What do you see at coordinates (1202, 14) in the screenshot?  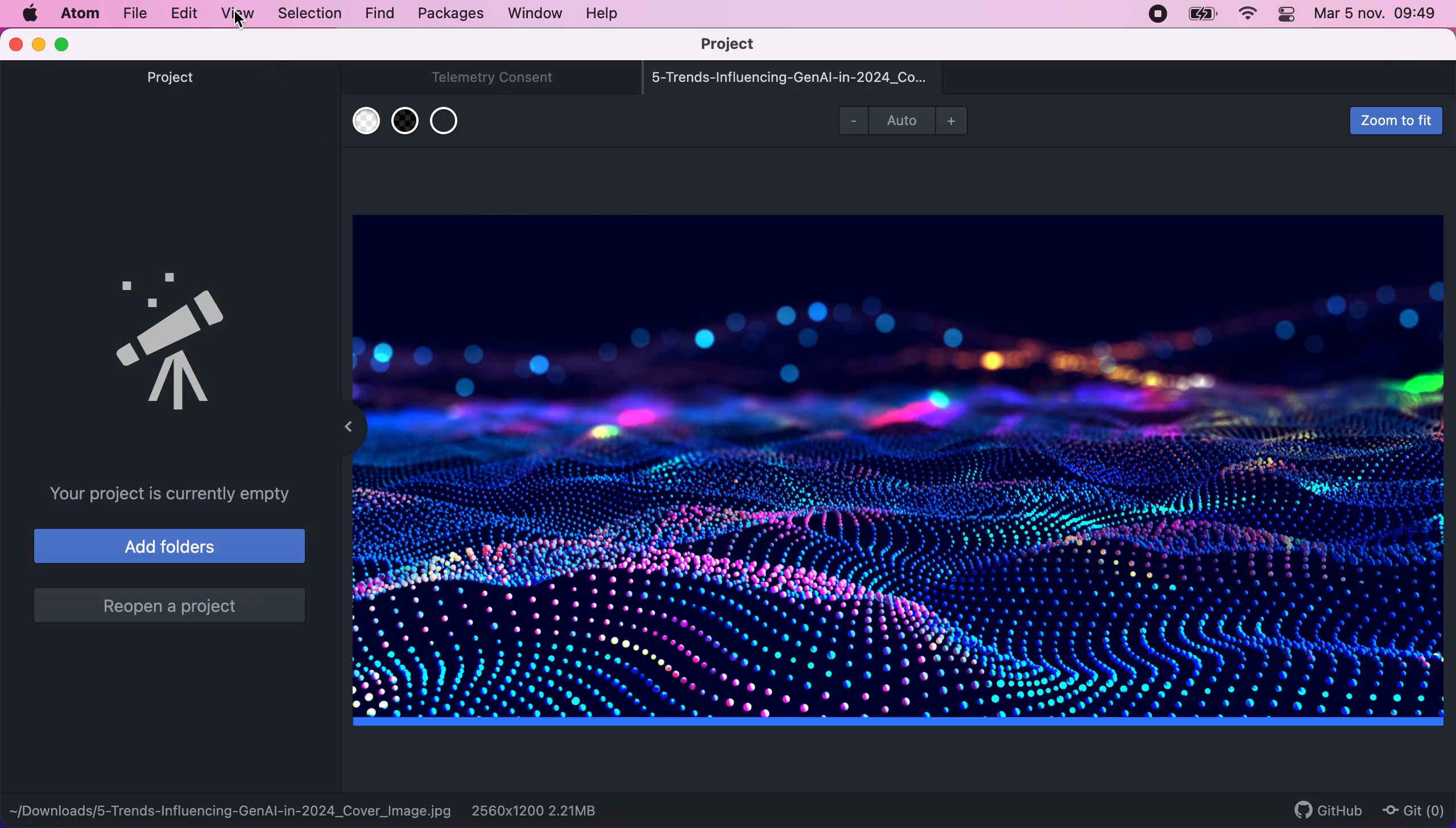 I see `battery` at bounding box center [1202, 14].